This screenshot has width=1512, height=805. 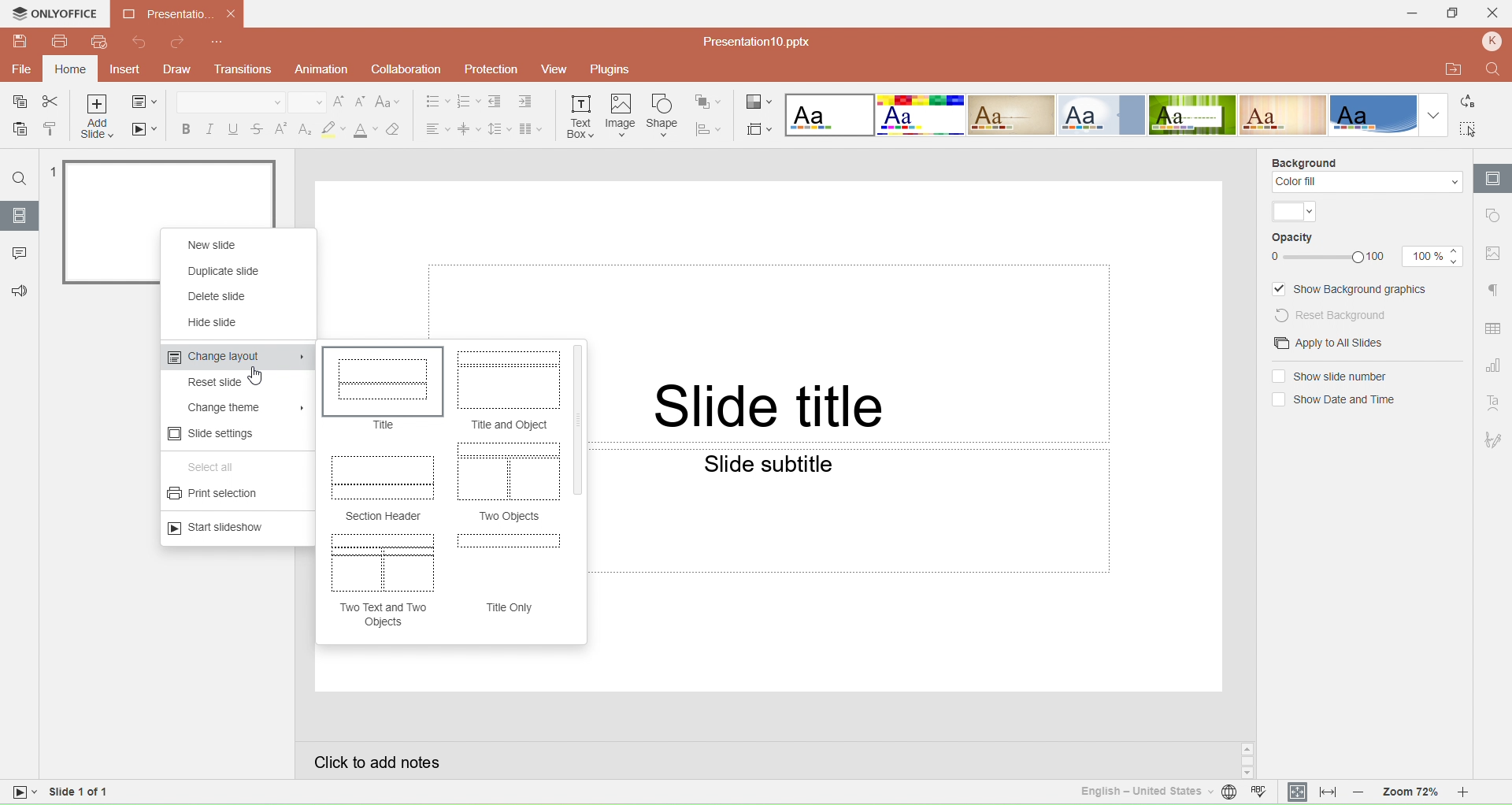 What do you see at coordinates (339, 102) in the screenshot?
I see `Increment font size` at bounding box center [339, 102].